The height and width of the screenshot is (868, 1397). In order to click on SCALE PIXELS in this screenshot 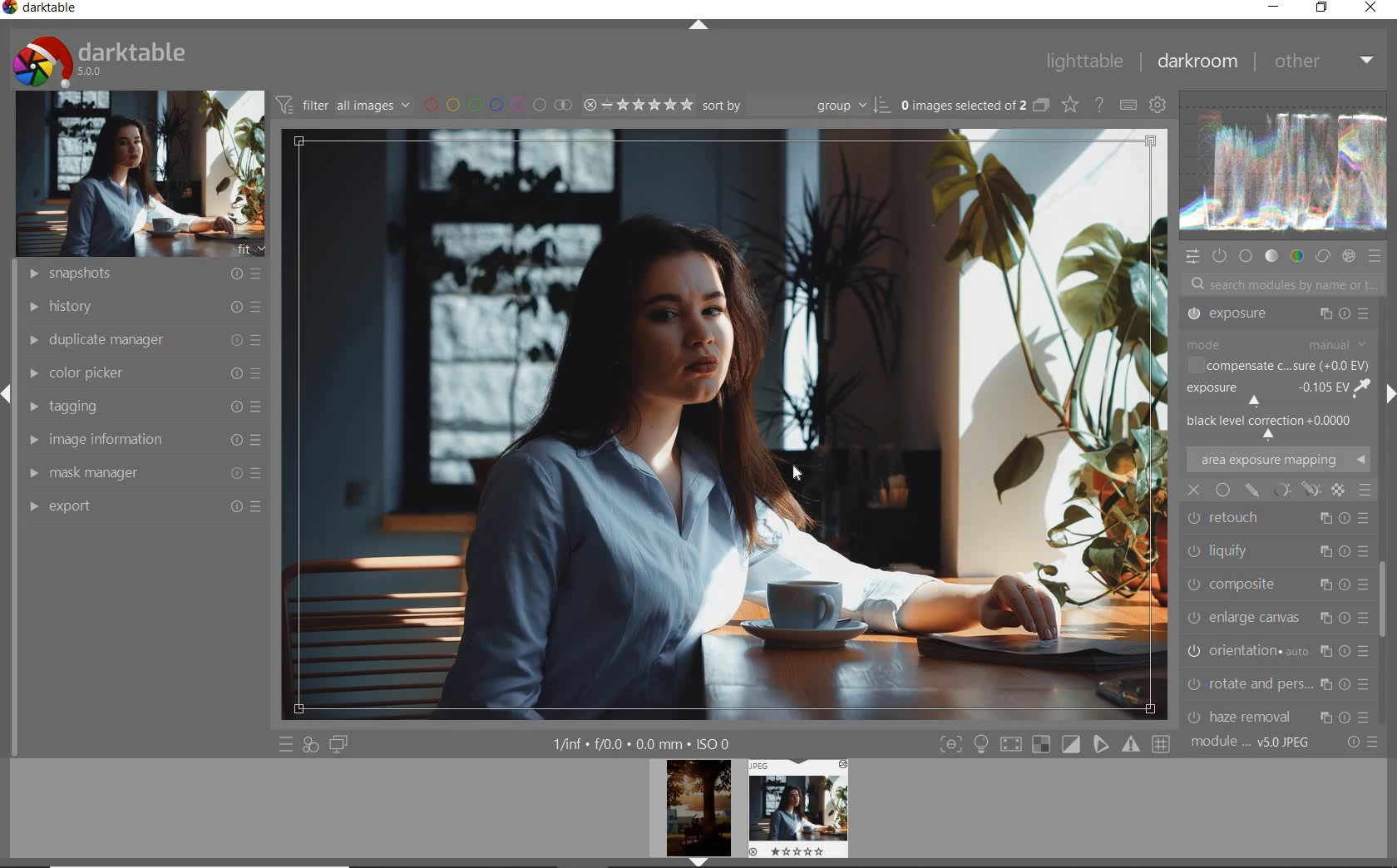, I will do `click(1286, 712)`.